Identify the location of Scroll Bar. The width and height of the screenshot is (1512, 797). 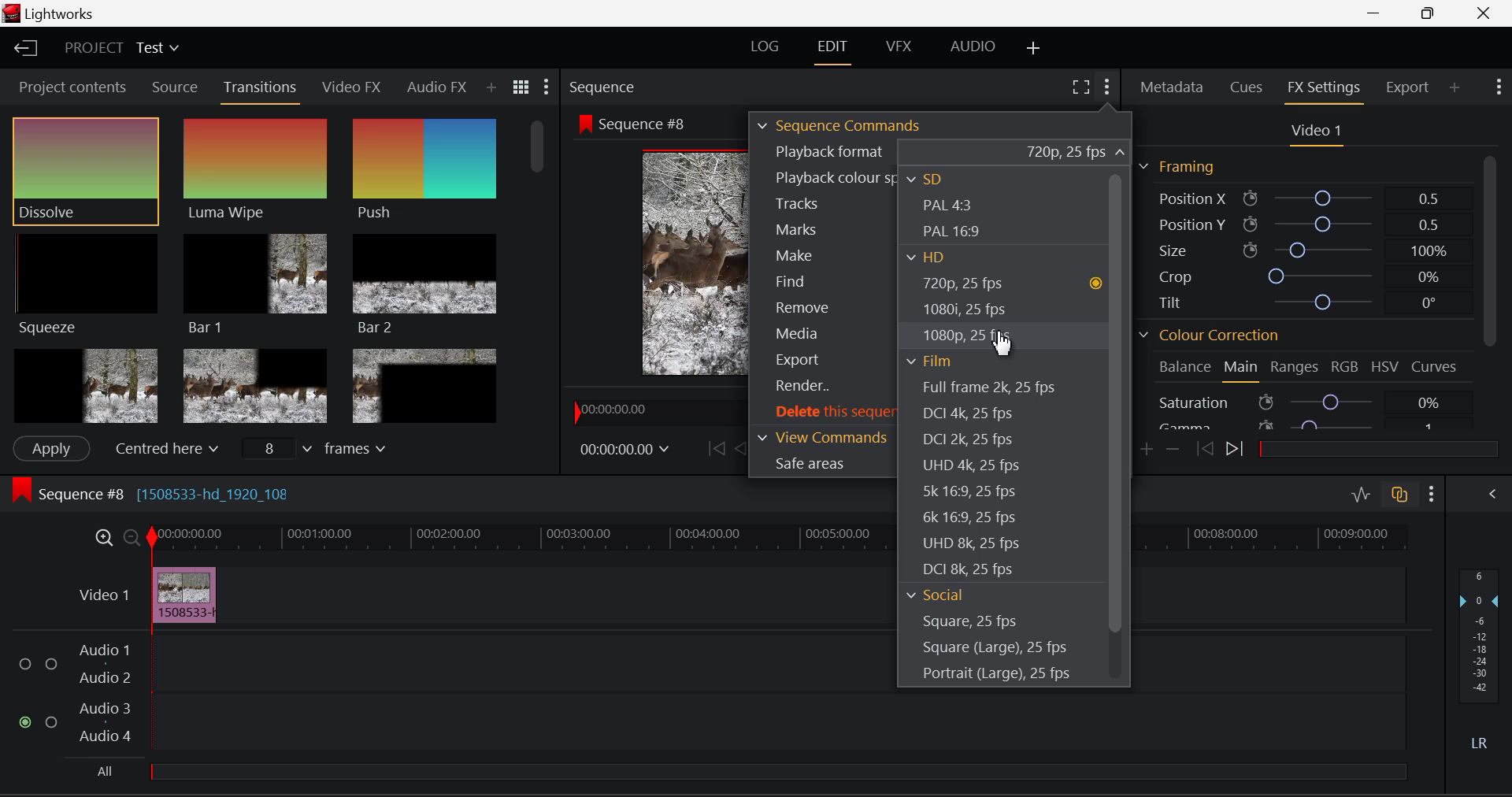
(540, 268).